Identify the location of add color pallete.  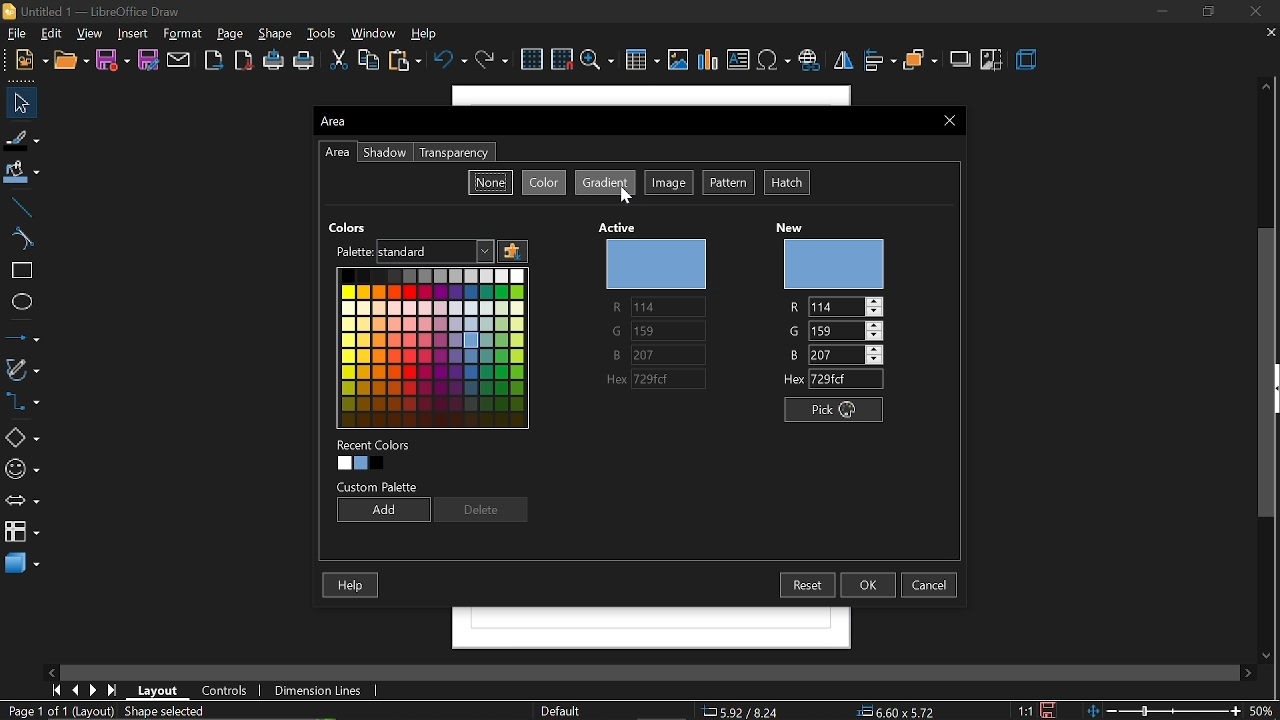
(513, 252).